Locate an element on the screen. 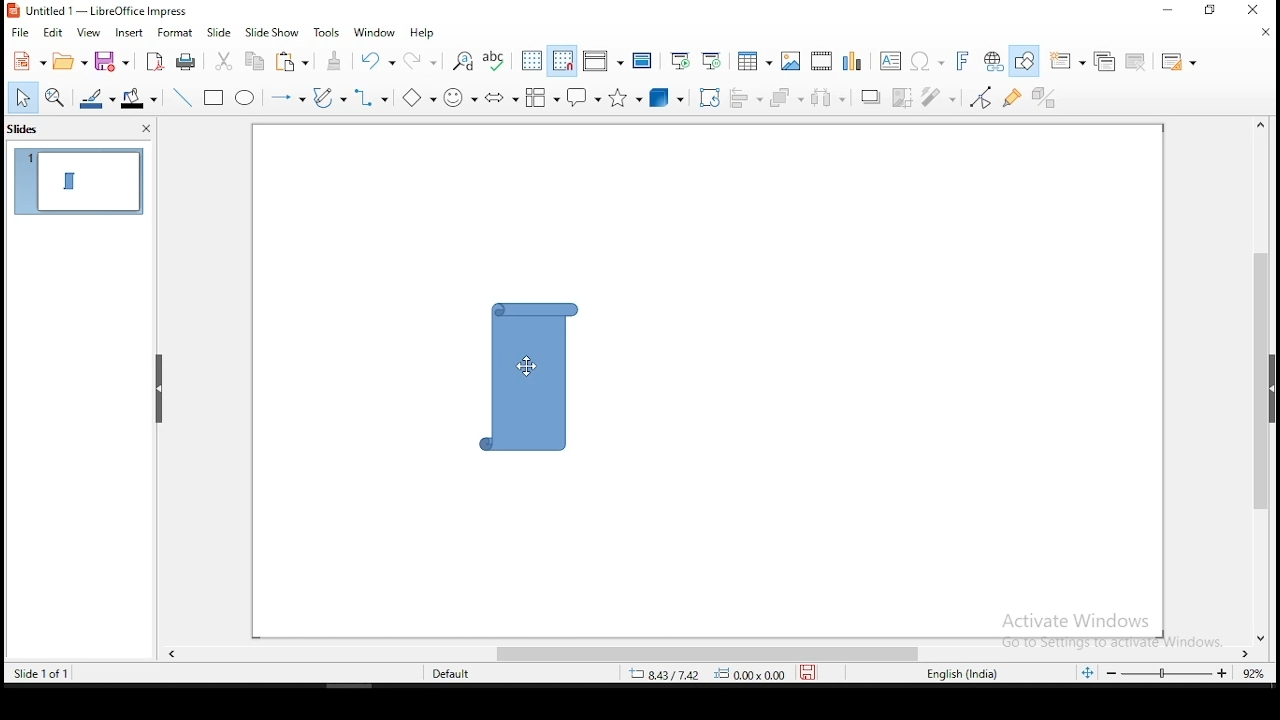 The height and width of the screenshot is (720, 1280). redo is located at coordinates (423, 64).